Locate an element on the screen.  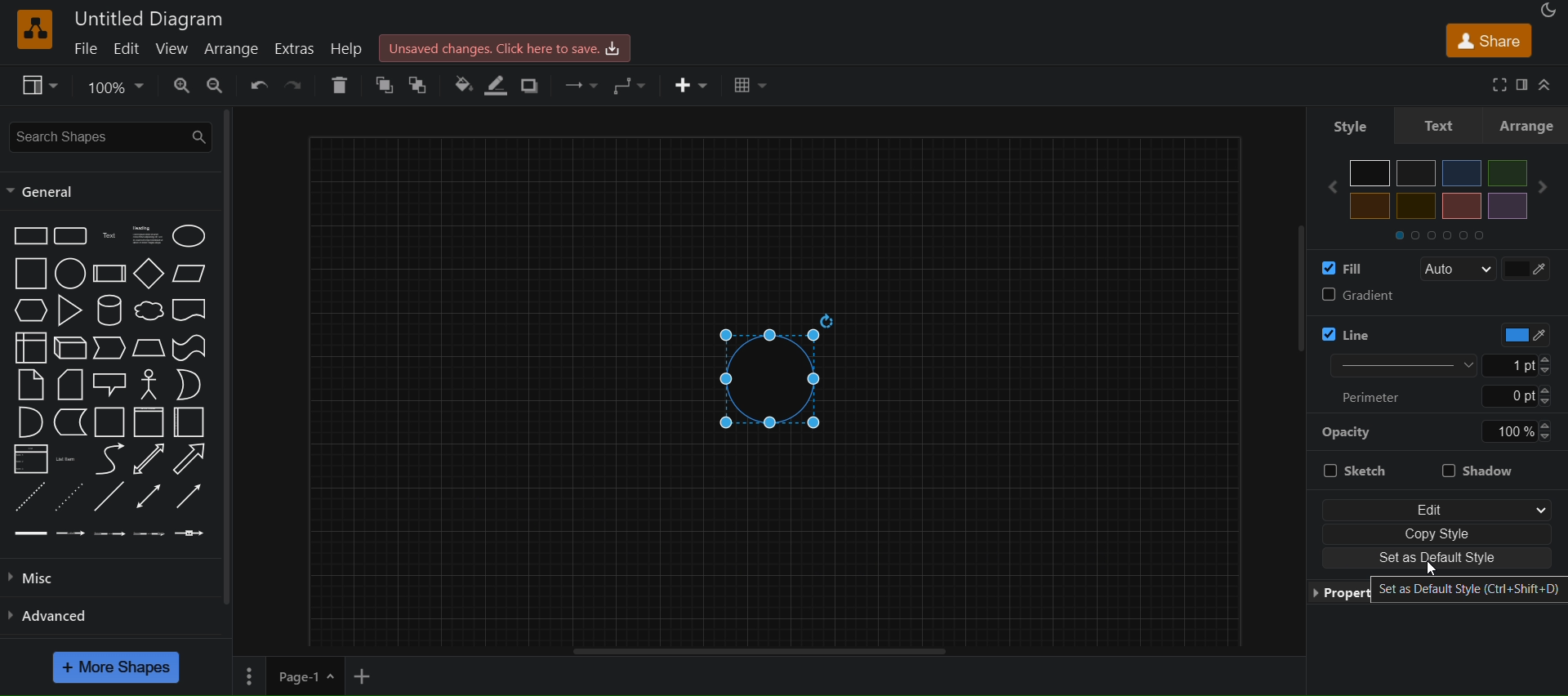
dotted line is located at coordinates (69, 496).